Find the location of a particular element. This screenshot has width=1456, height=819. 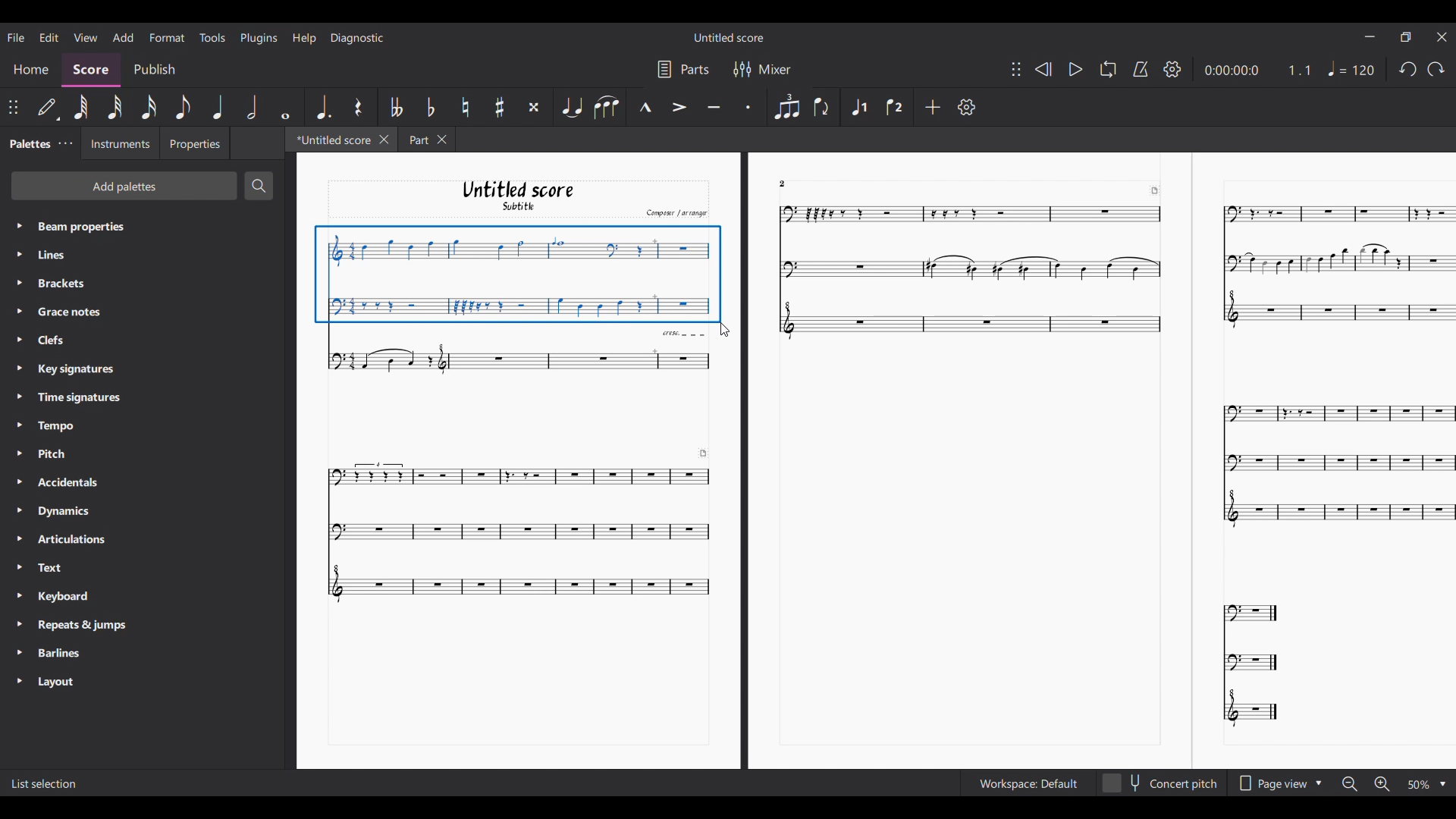

Drop down is located at coordinates (1442, 785).